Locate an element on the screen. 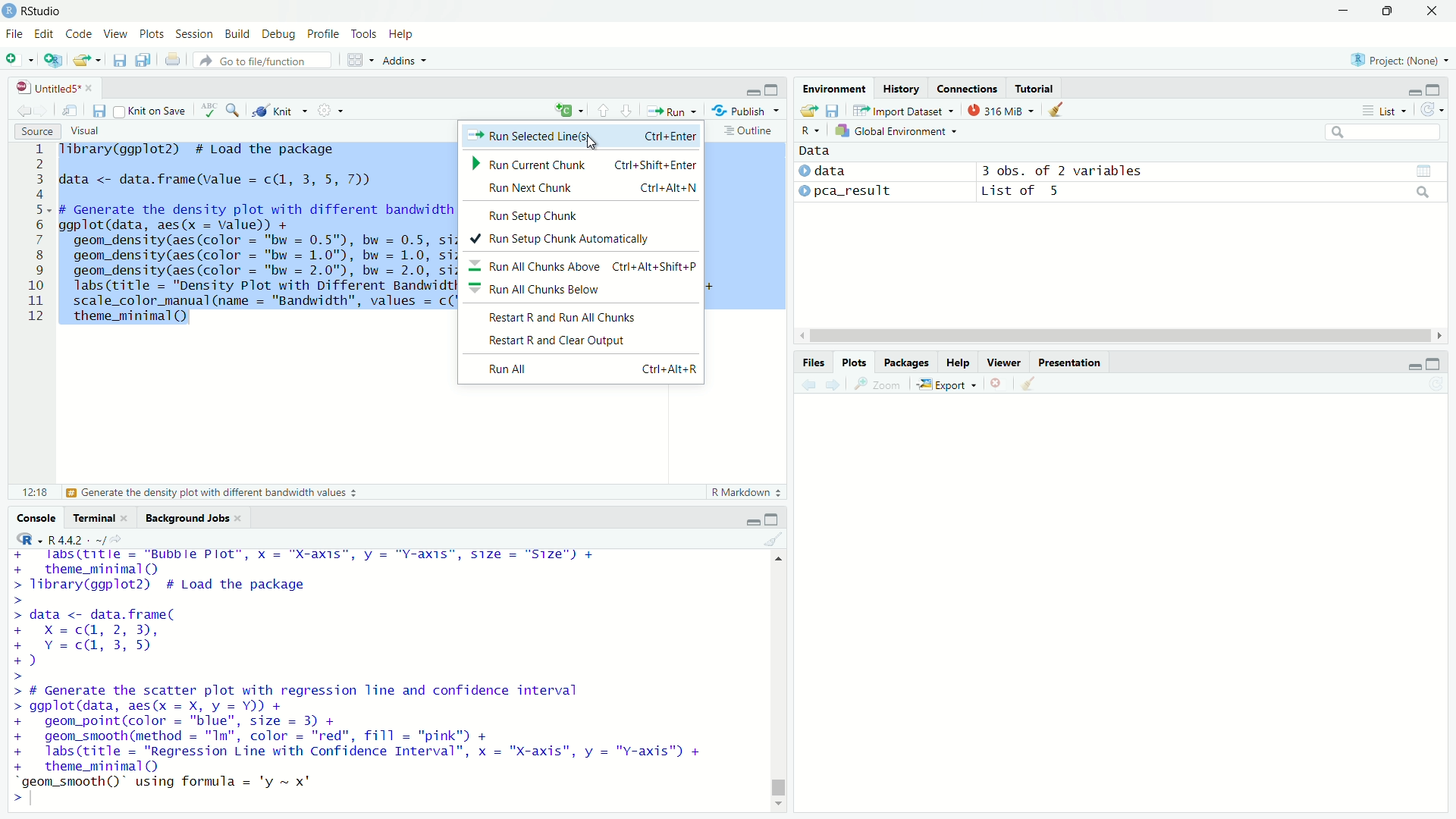 This screenshot has width=1456, height=819. minimize is located at coordinates (752, 522).